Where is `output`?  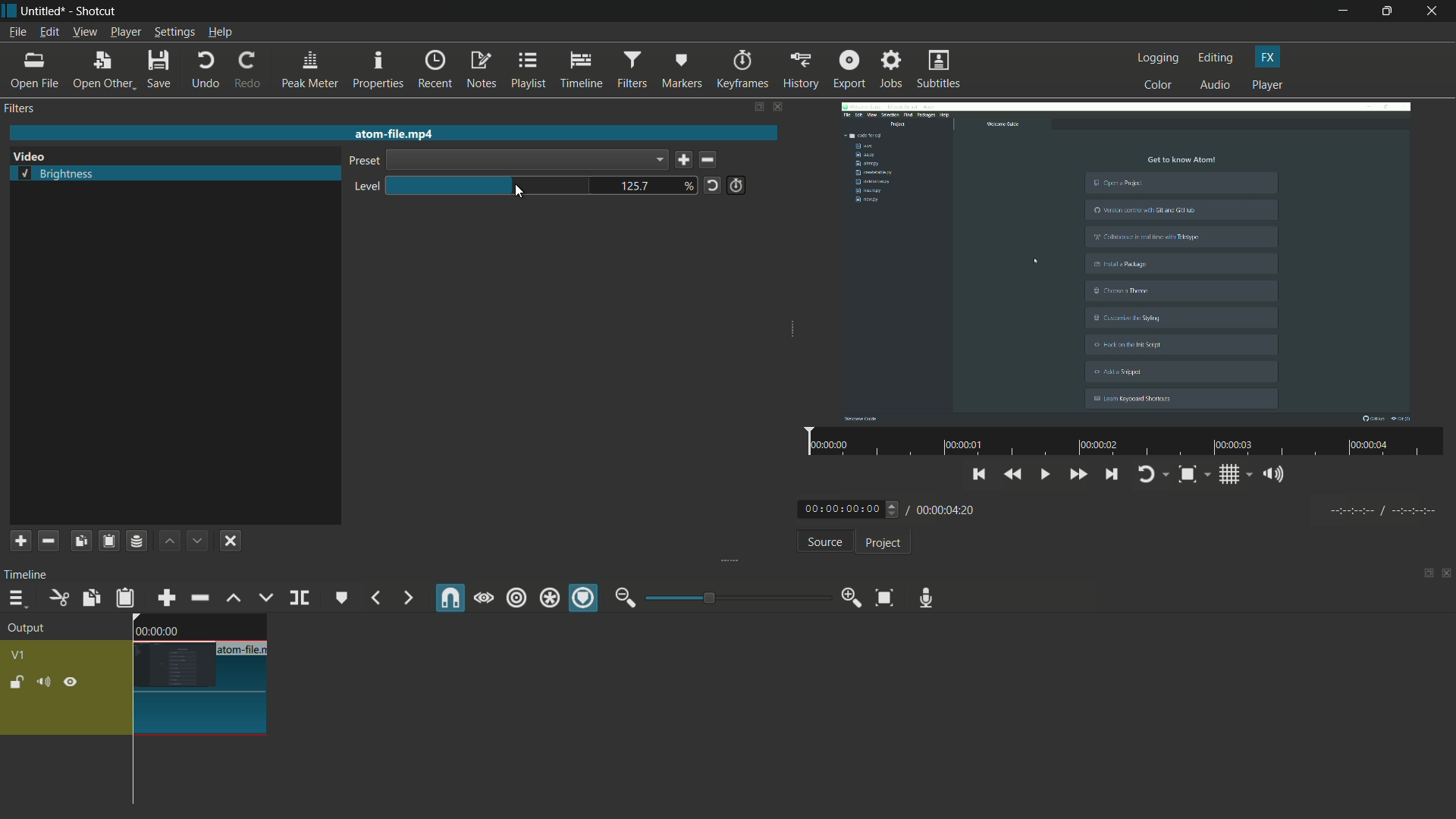
output is located at coordinates (31, 629).